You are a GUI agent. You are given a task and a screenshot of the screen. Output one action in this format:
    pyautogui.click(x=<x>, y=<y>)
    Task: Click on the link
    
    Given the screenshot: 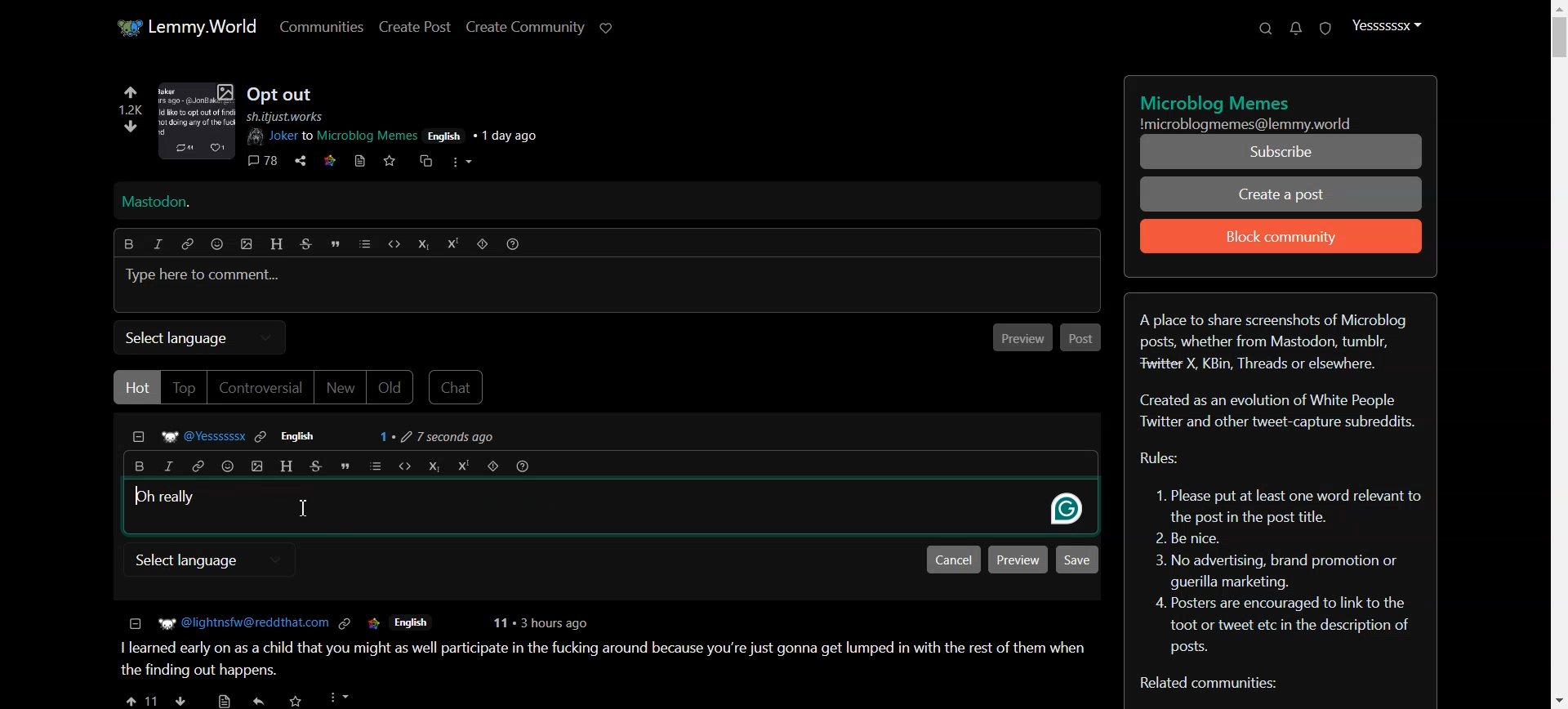 What is the action you would take?
    pyautogui.click(x=332, y=160)
    